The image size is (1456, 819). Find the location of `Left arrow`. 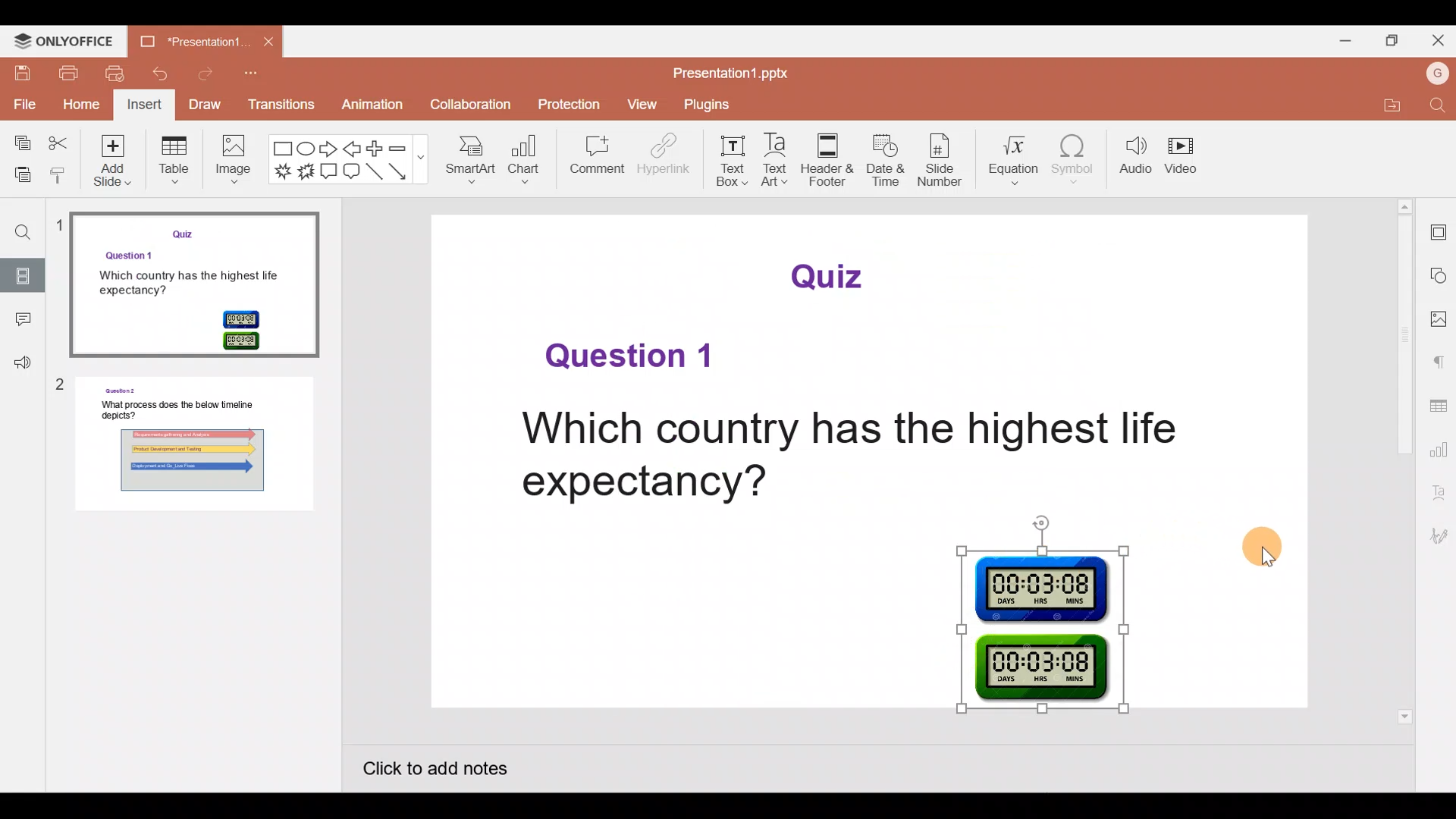

Left arrow is located at coordinates (356, 149).